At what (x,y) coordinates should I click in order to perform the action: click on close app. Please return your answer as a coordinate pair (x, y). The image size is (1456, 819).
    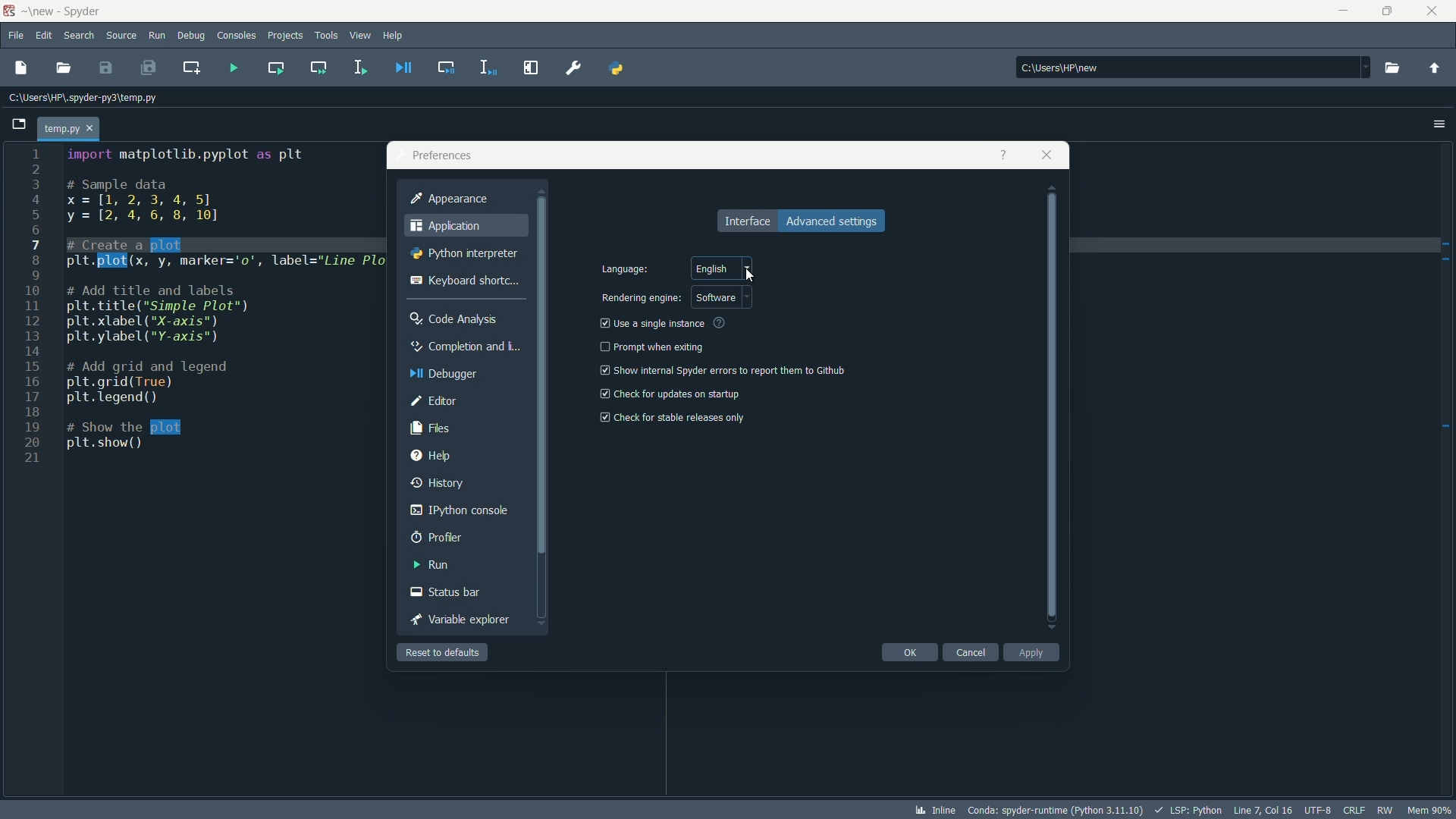
    Looking at the image, I should click on (1436, 11).